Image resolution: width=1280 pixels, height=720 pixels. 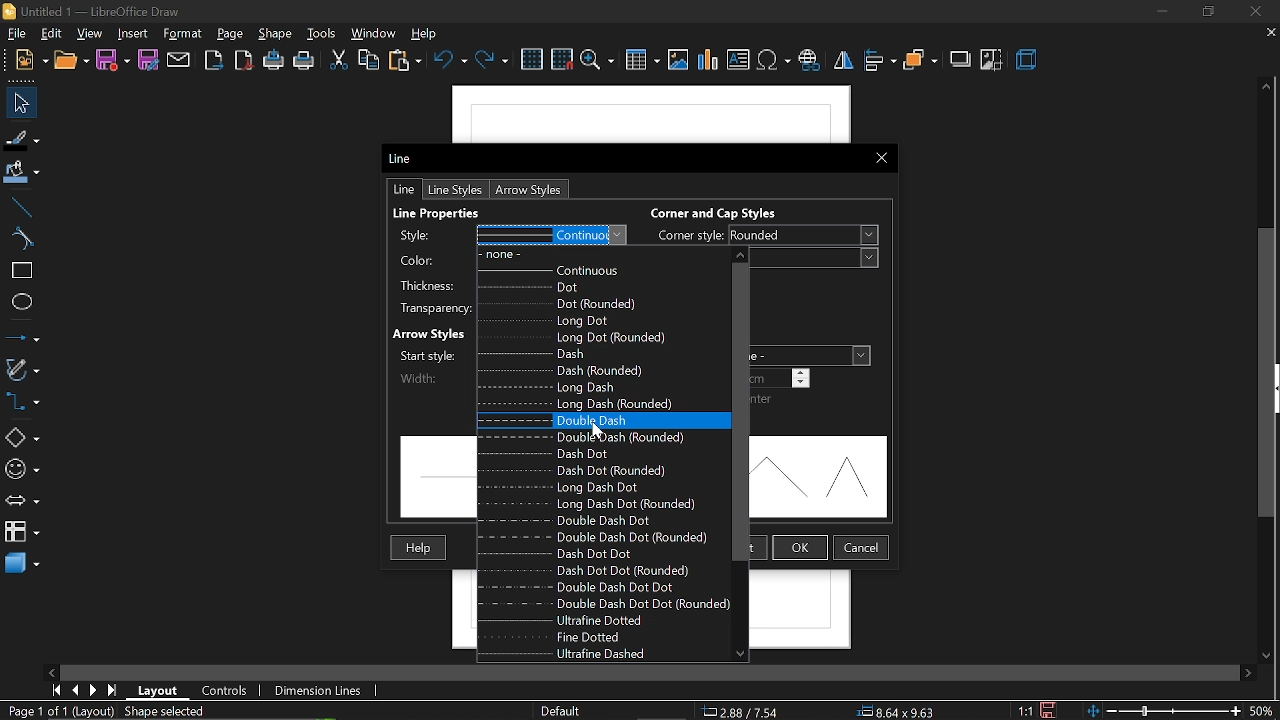 I want to click on close, so click(x=1254, y=11).